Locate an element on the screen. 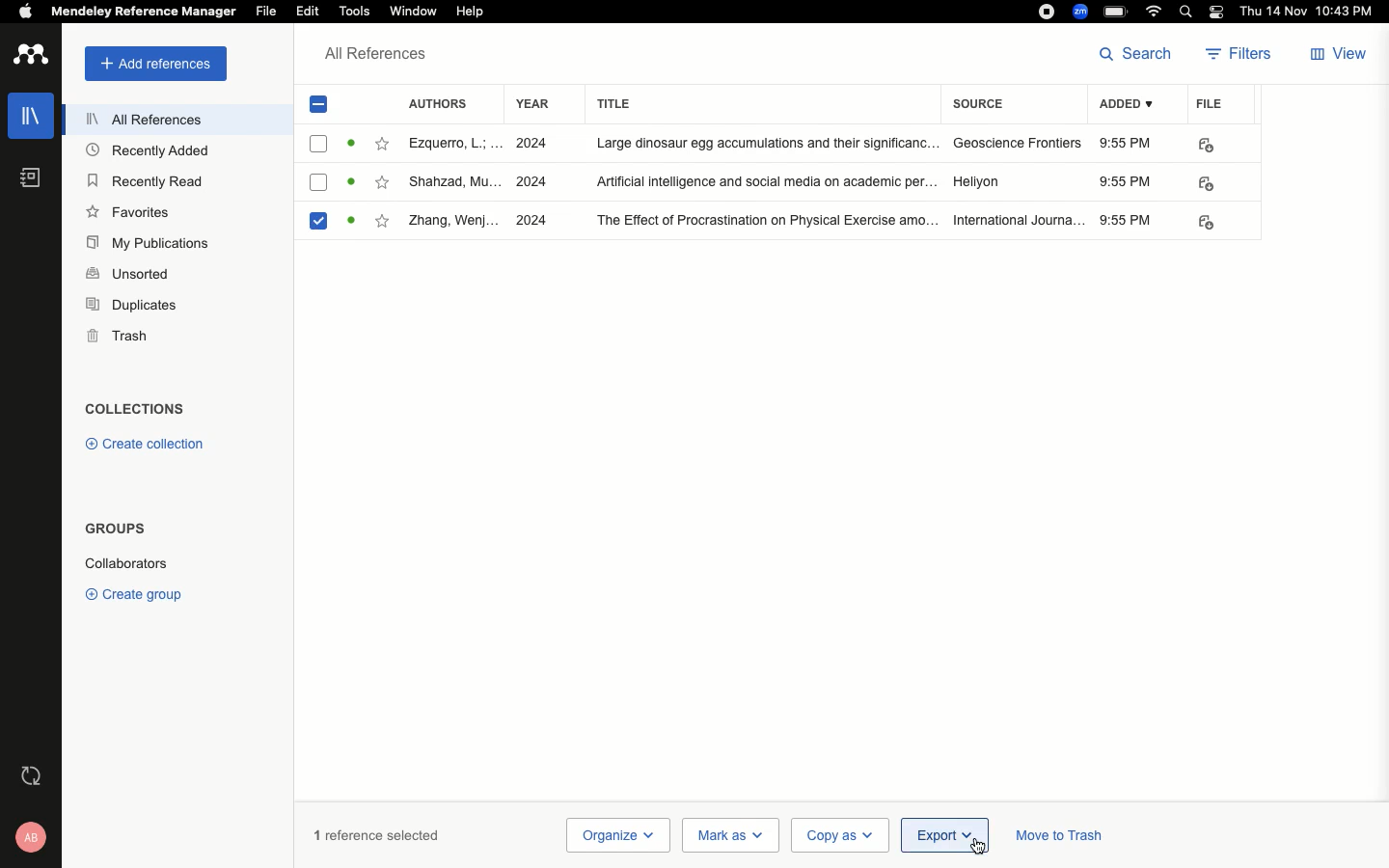 This screenshot has height=868, width=1389. Shahzad is located at coordinates (454, 183).